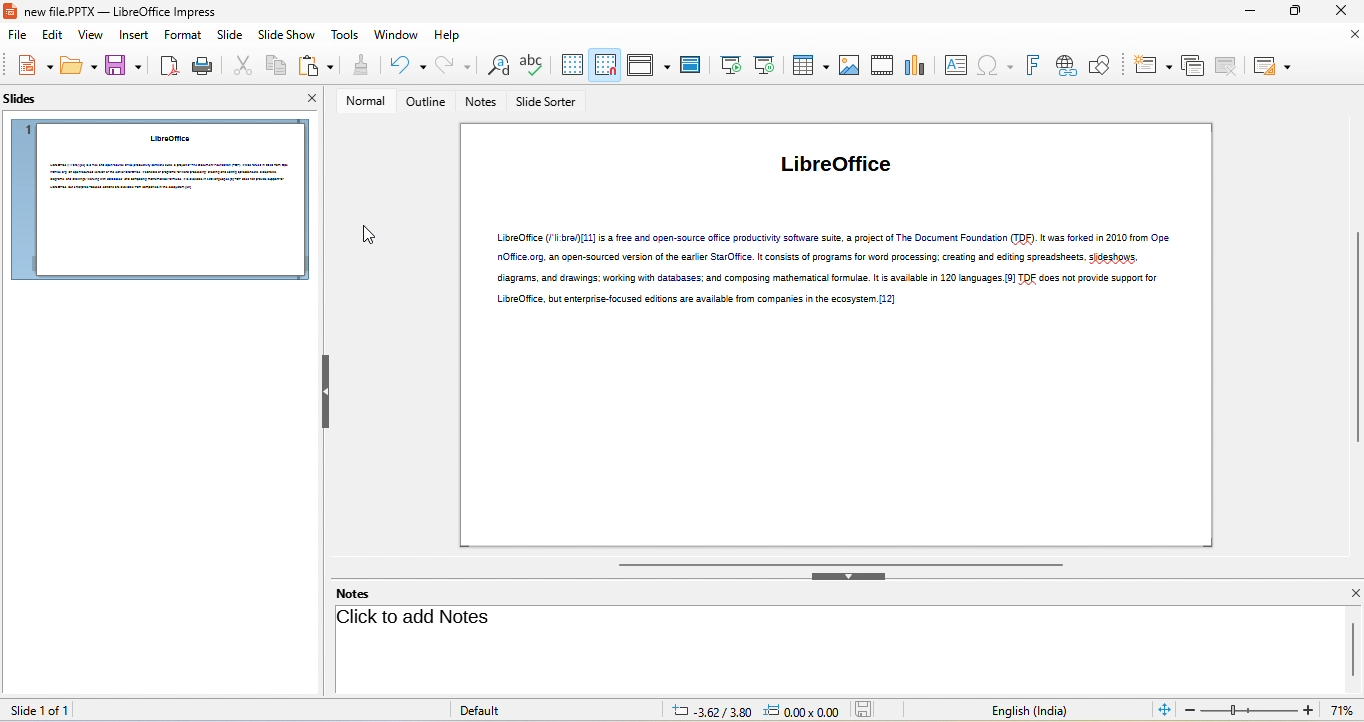 Image resolution: width=1364 pixels, height=722 pixels. Describe the element at coordinates (703, 300) in the screenshot. I see `LioreOffice, but enterprise-focused editions are available from companies in the ecosystem. [12]` at that location.